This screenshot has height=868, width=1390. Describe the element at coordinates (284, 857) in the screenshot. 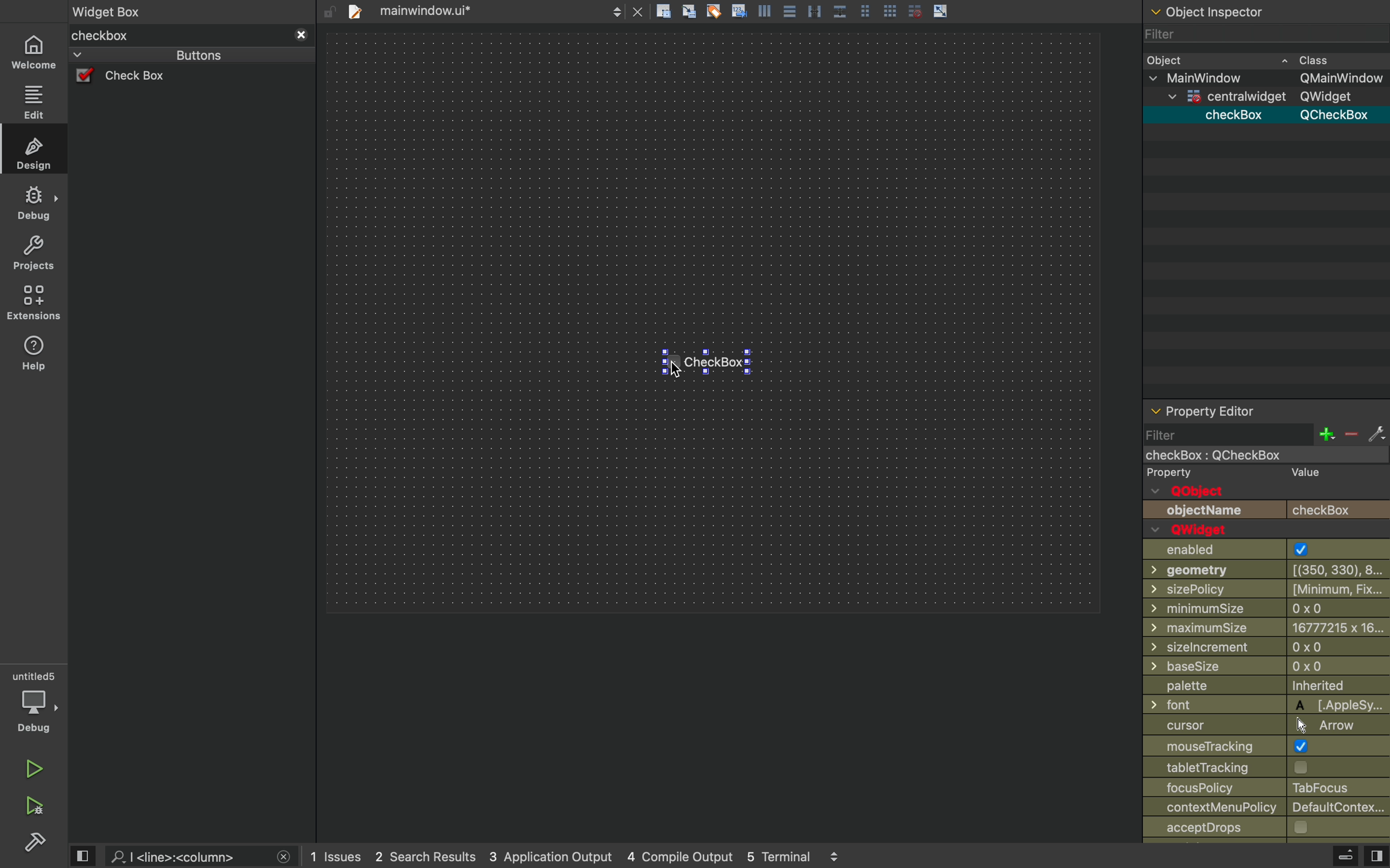

I see `close` at that location.